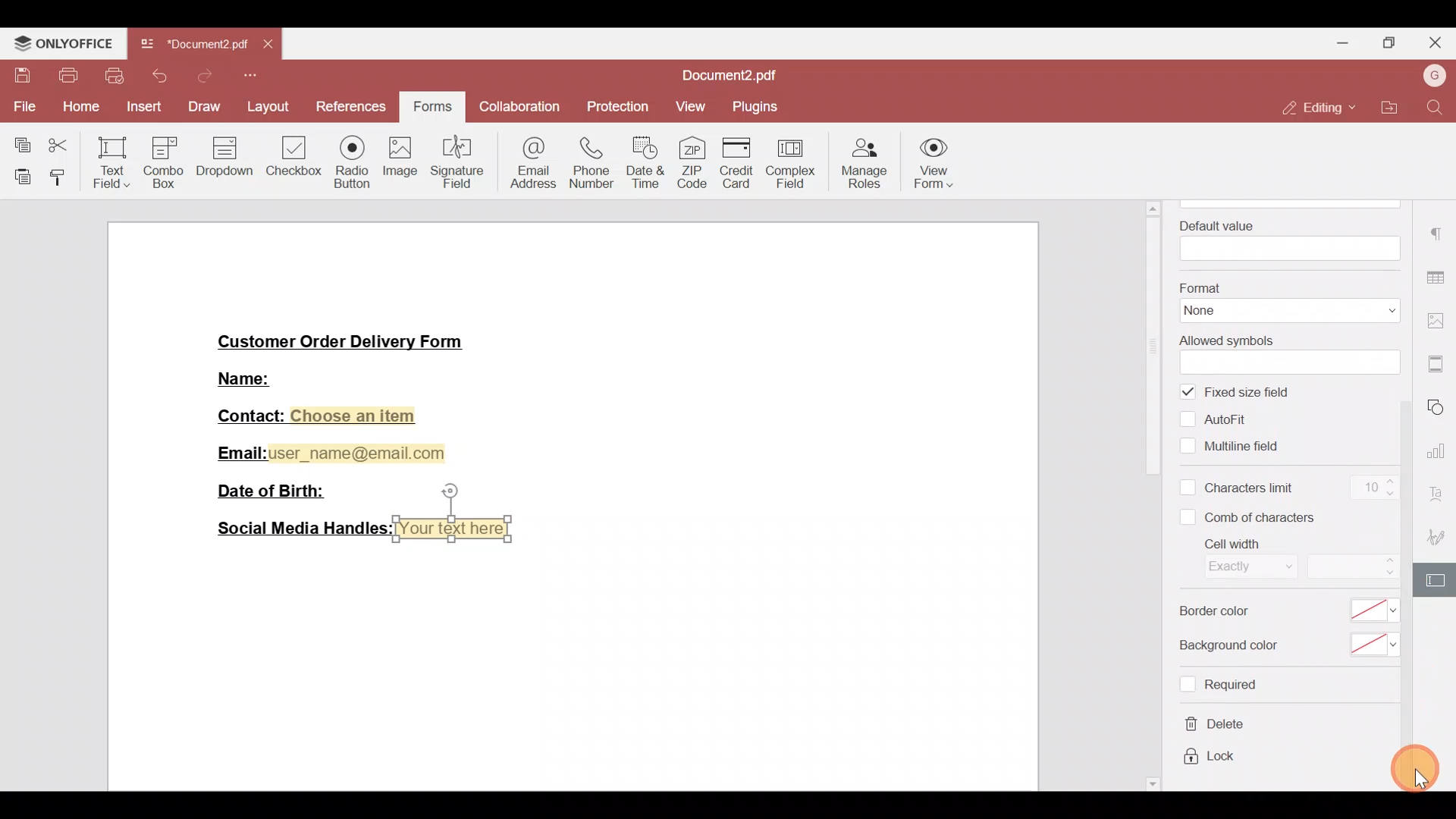  Describe the element at coordinates (435, 103) in the screenshot. I see `Forms` at that location.